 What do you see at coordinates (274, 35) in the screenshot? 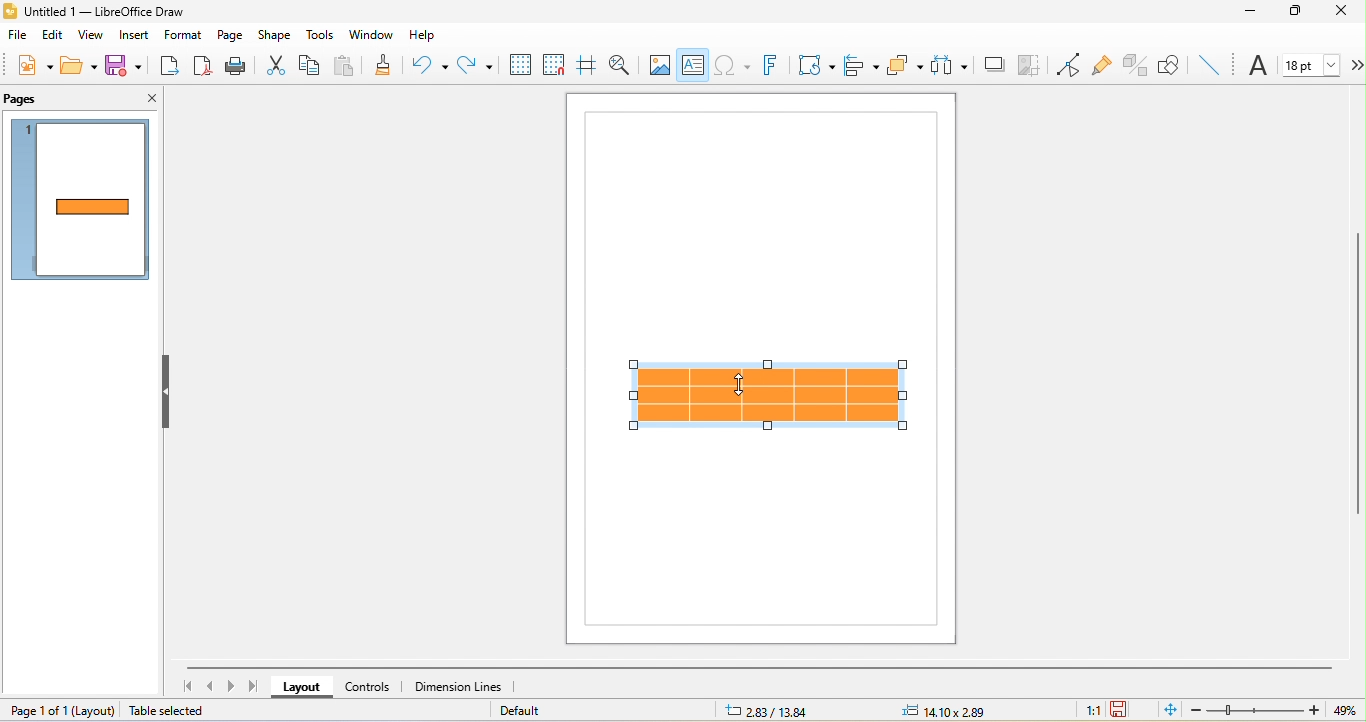
I see `shape` at bounding box center [274, 35].